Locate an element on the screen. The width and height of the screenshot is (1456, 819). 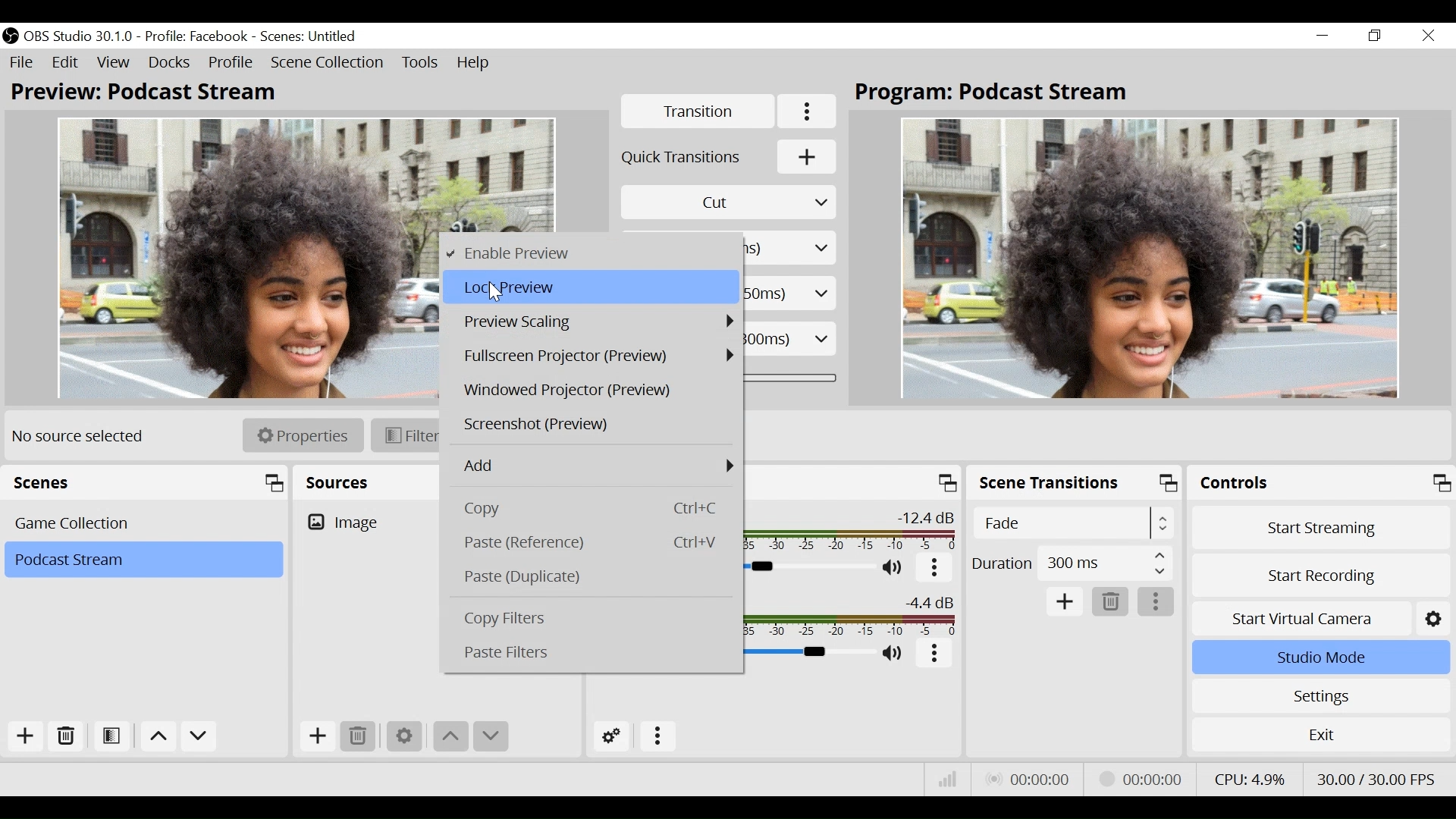
minimize is located at coordinates (1323, 36).